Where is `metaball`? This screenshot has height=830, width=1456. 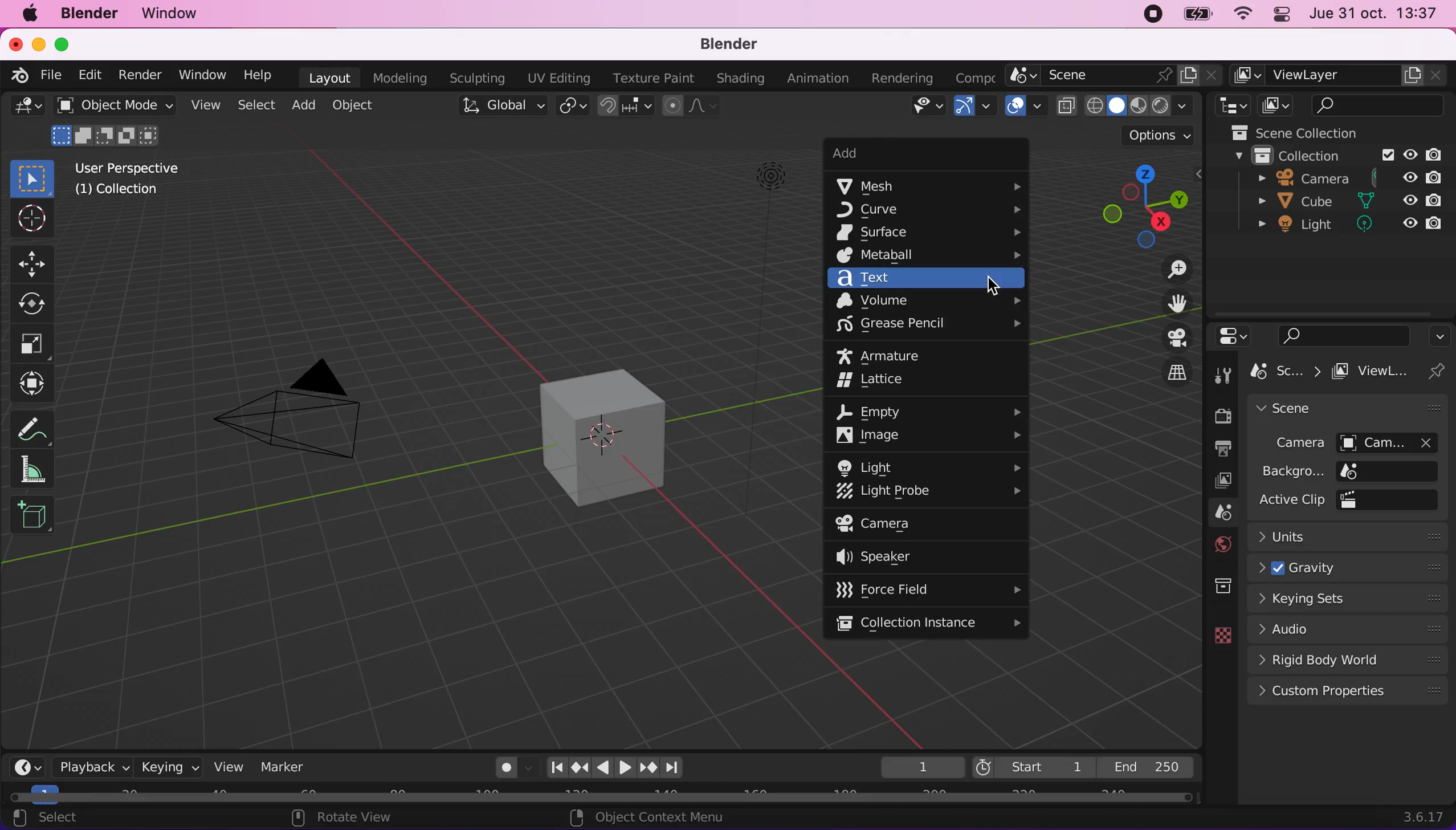 metaball is located at coordinates (931, 256).